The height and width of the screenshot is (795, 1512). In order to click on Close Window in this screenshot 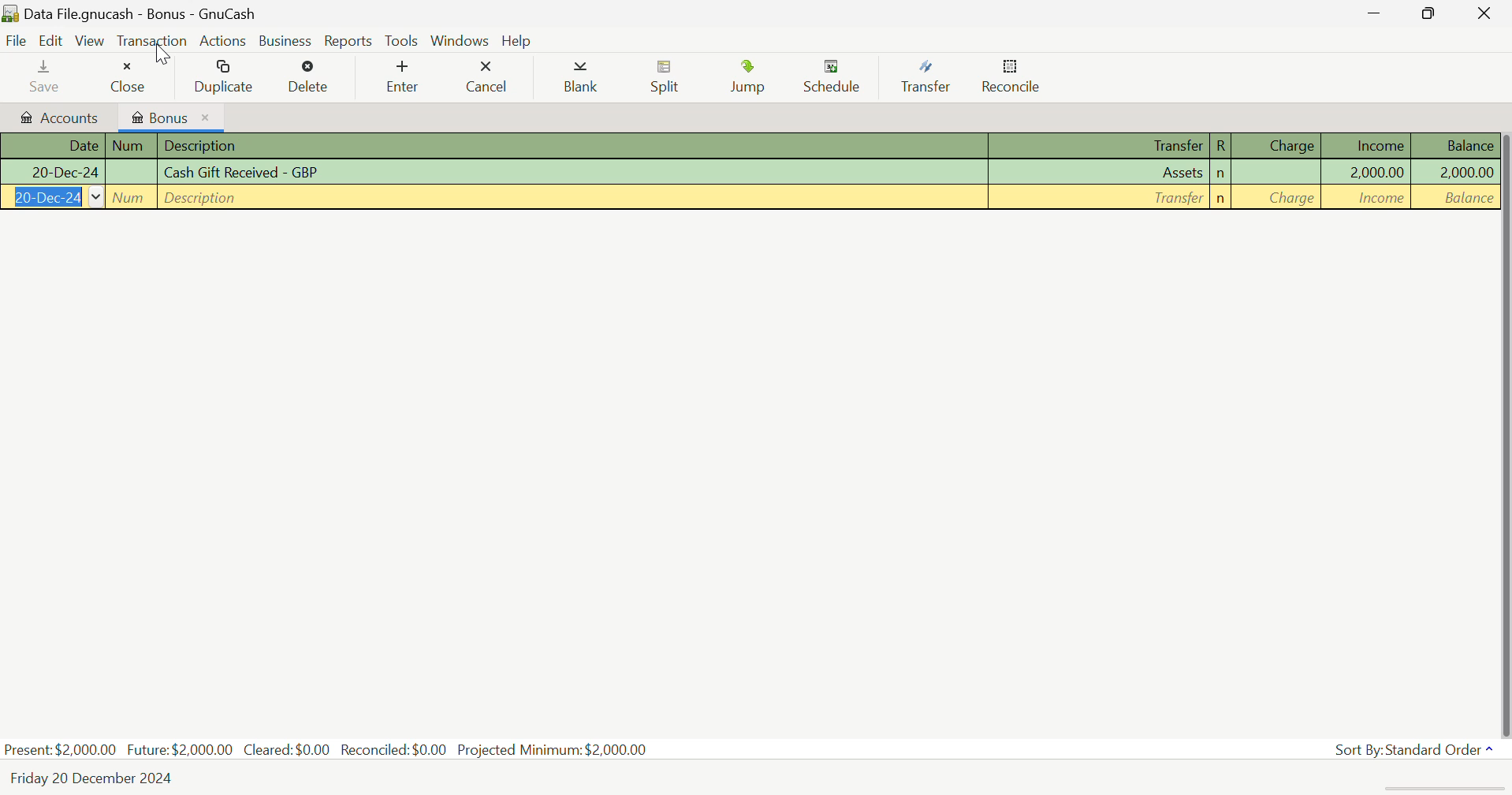, I will do `click(1488, 12)`.